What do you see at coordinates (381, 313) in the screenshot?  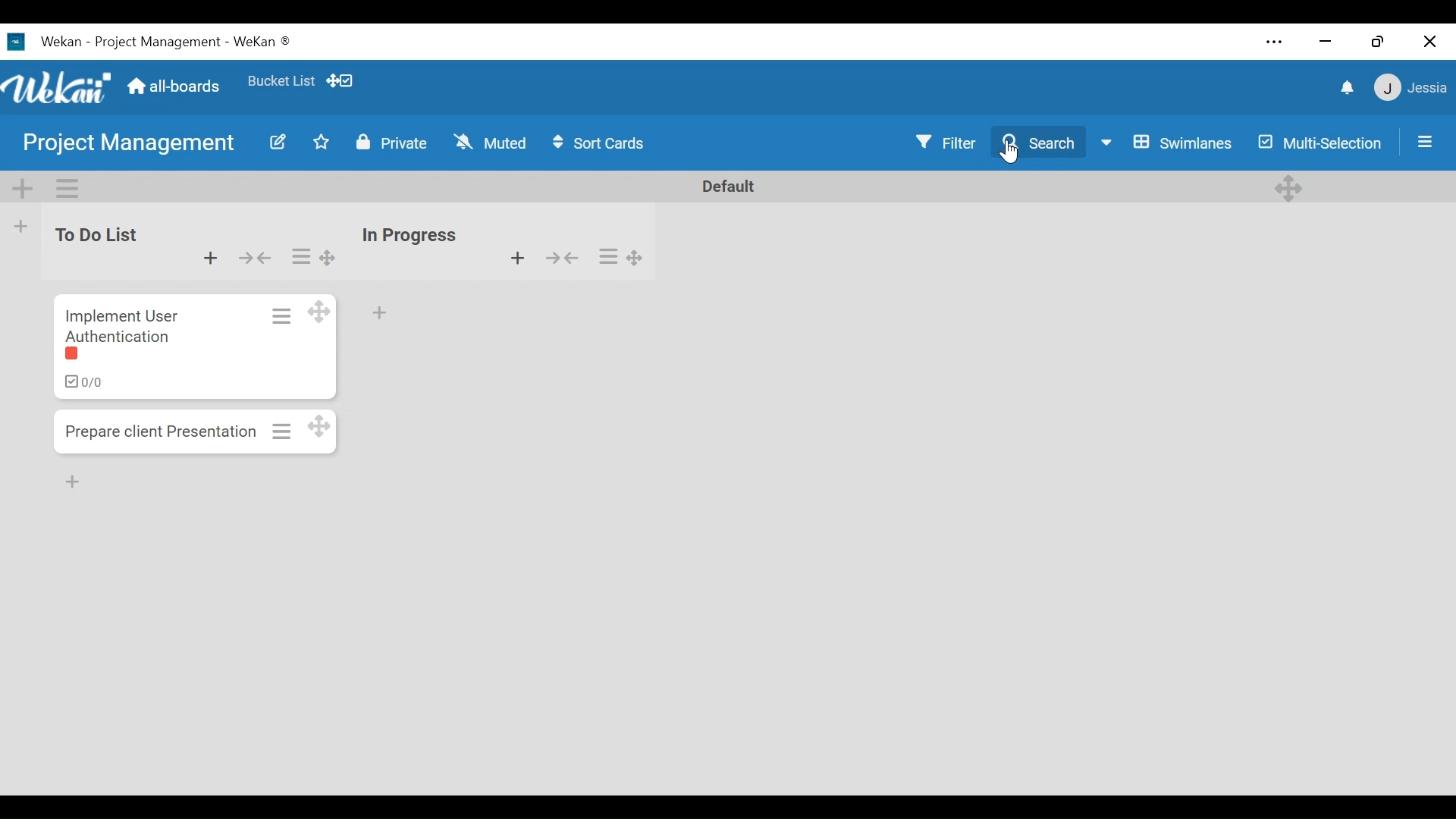 I see `Add card to bottom of the list` at bounding box center [381, 313].